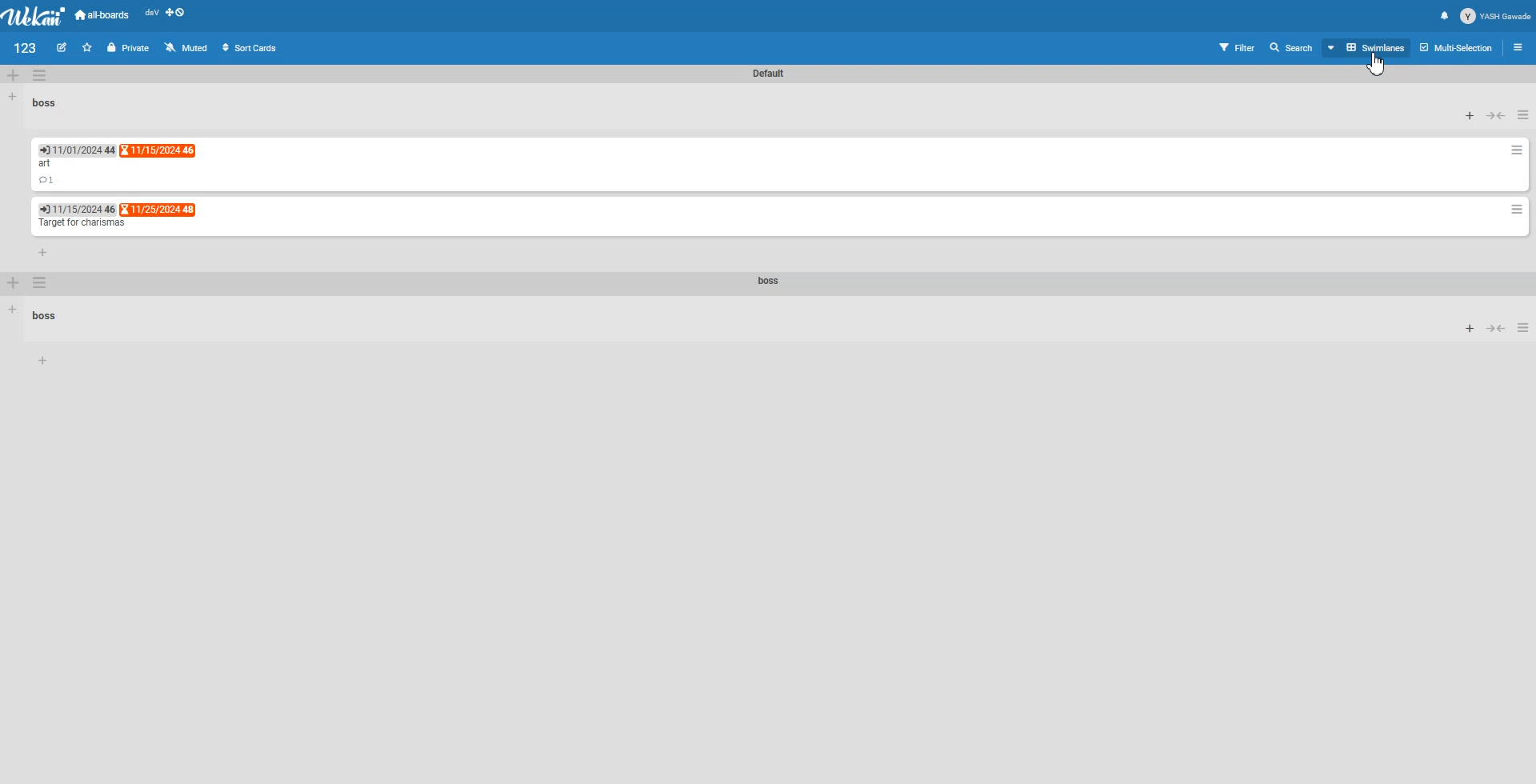 This screenshot has height=784, width=1536. I want to click on Open sidebar, so click(1520, 46).